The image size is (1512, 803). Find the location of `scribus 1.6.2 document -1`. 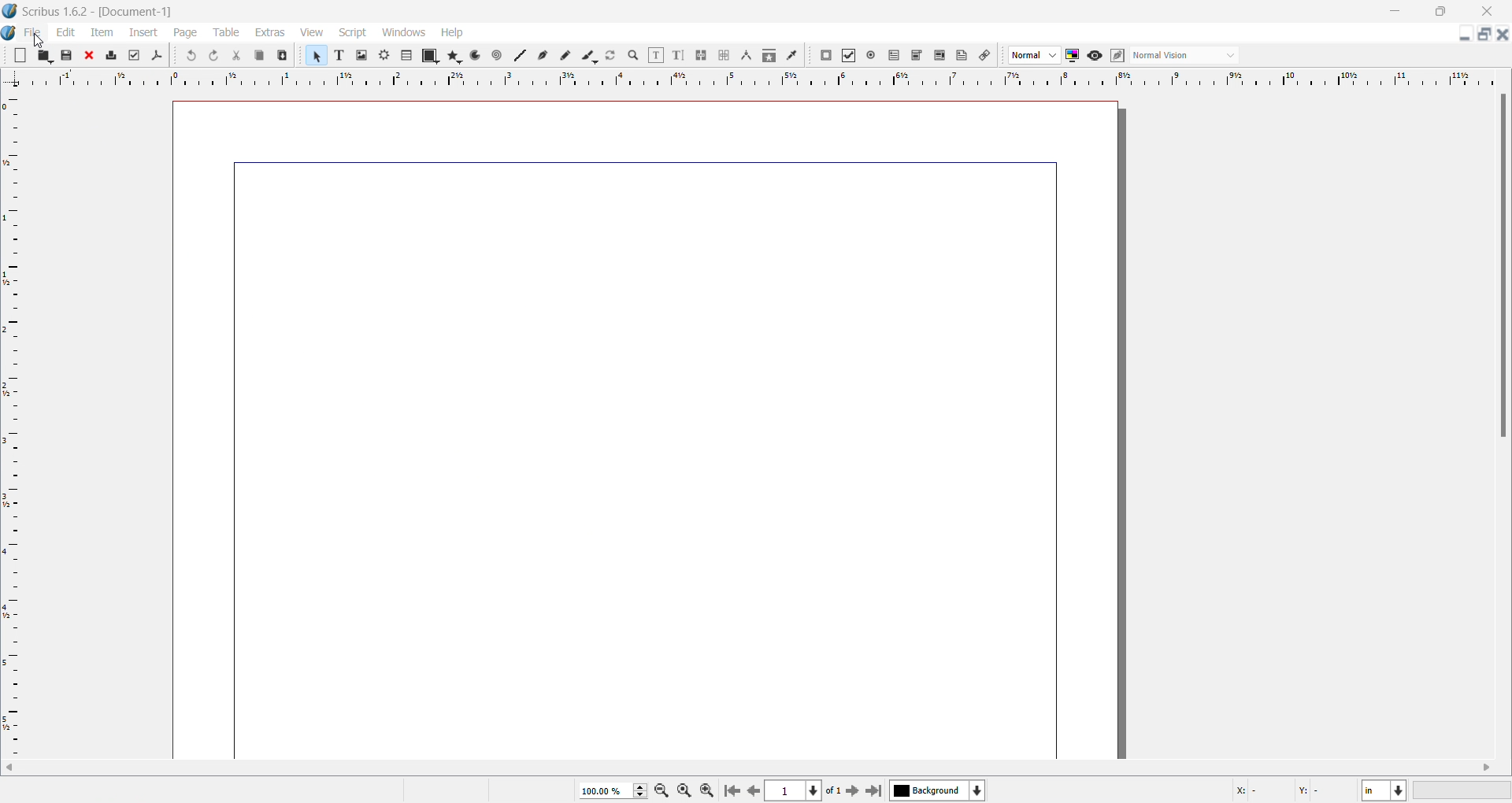

scribus 1.6.2 document -1 is located at coordinates (128, 12).